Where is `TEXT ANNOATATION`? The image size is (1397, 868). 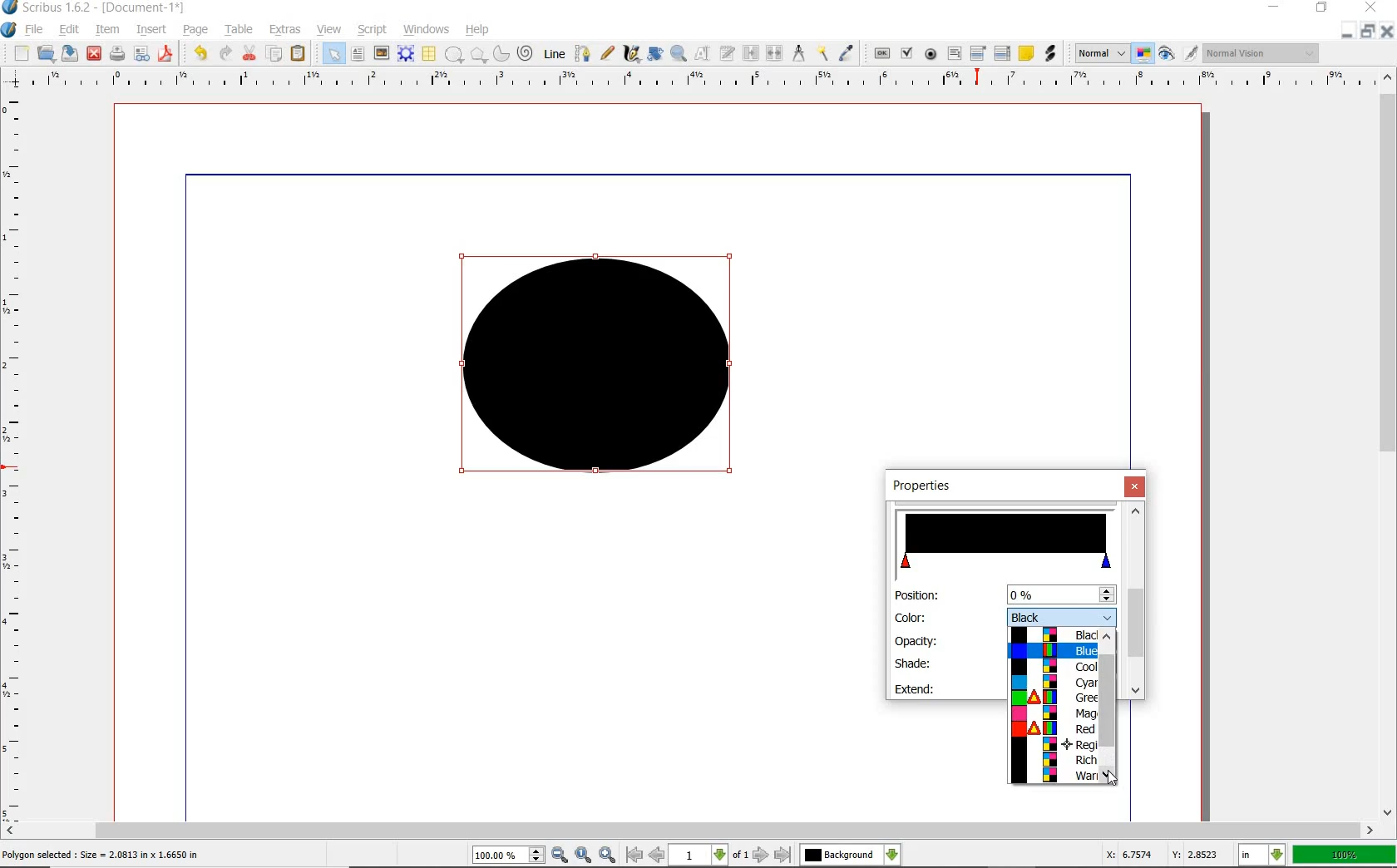 TEXT ANNOATATION is located at coordinates (1025, 52).